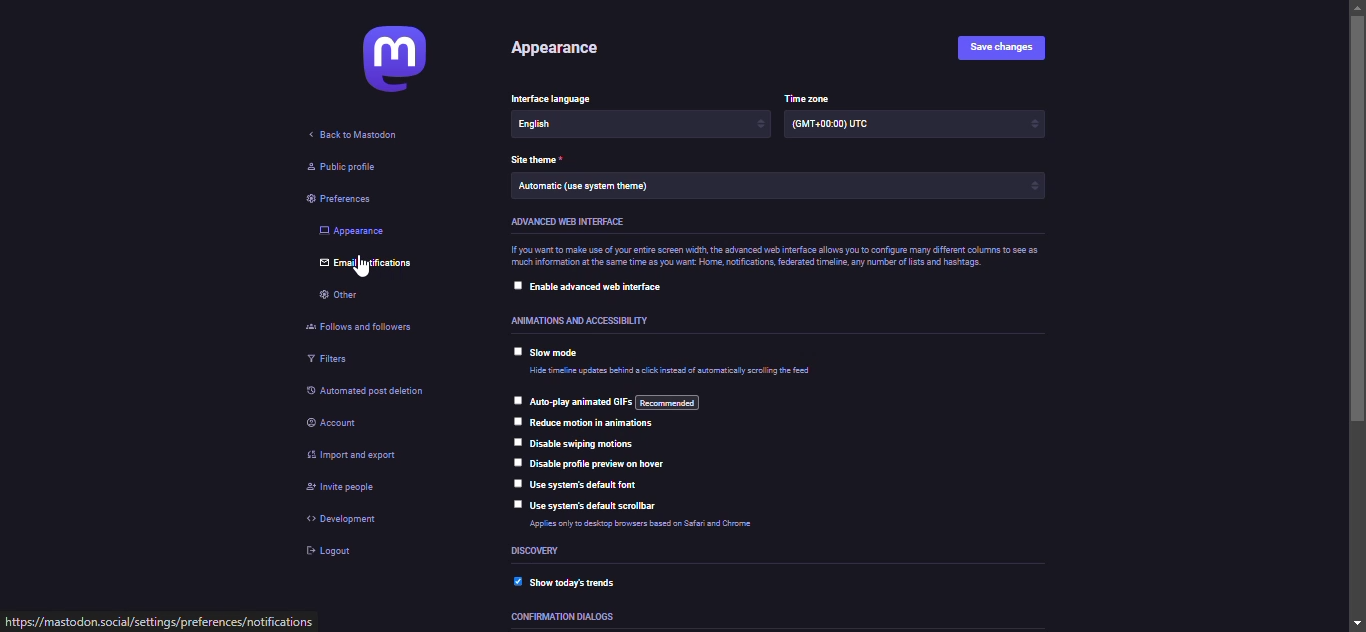 This screenshot has width=1366, height=632. I want to click on auto play animated gif's, so click(616, 401).